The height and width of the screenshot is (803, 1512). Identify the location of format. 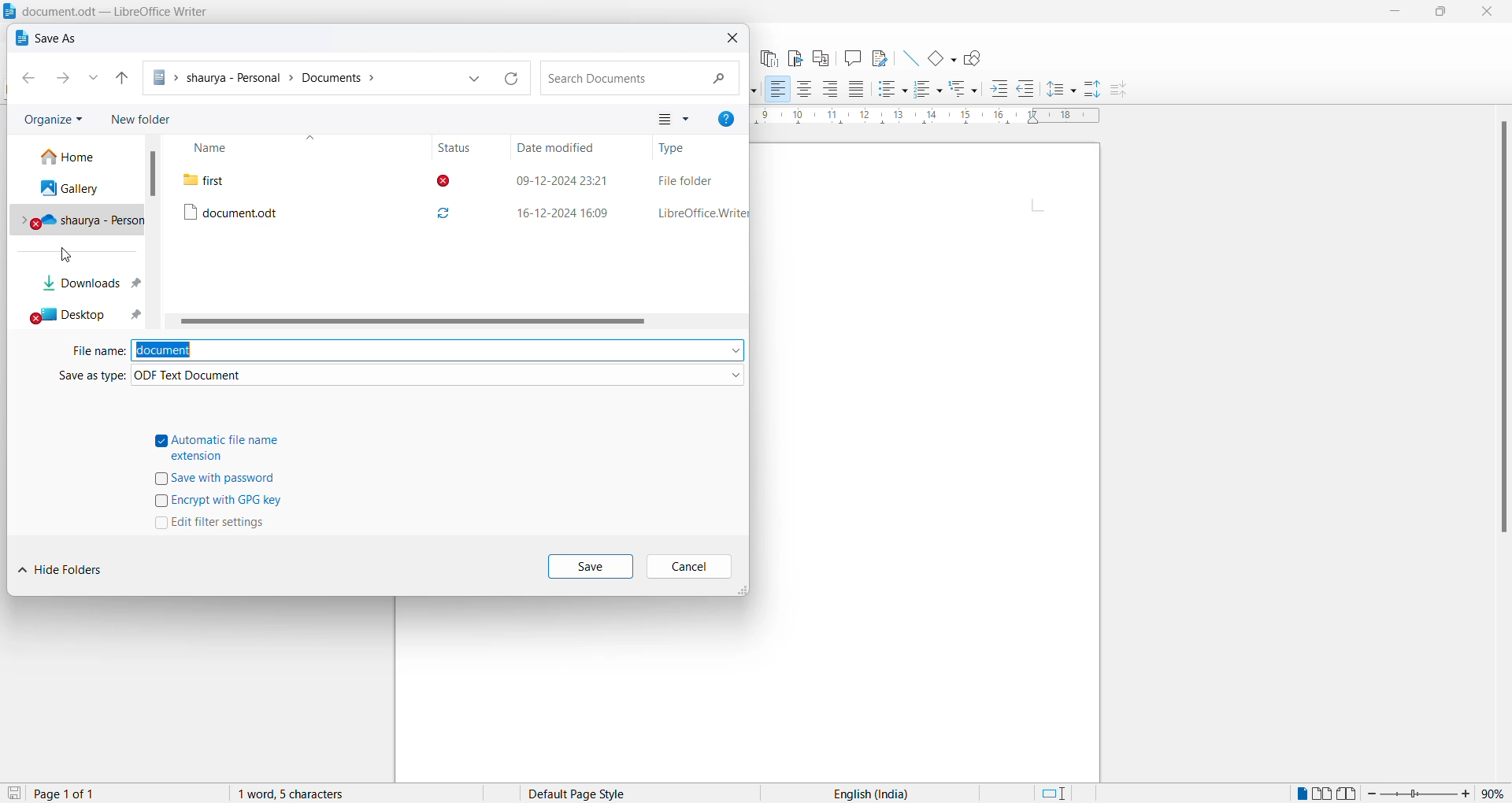
(438, 377).